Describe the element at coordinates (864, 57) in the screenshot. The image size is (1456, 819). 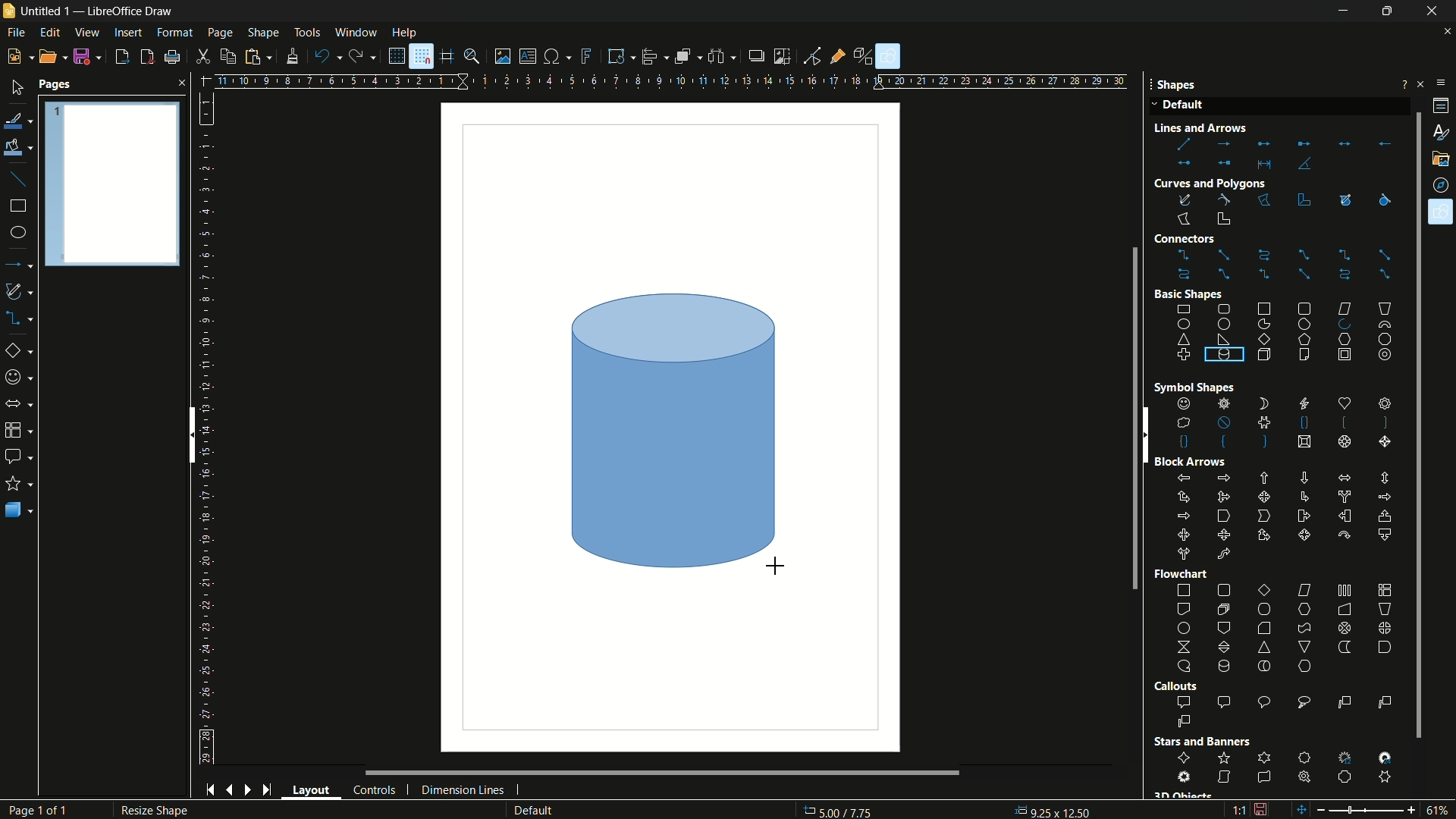
I see `toggle extrusion` at that location.